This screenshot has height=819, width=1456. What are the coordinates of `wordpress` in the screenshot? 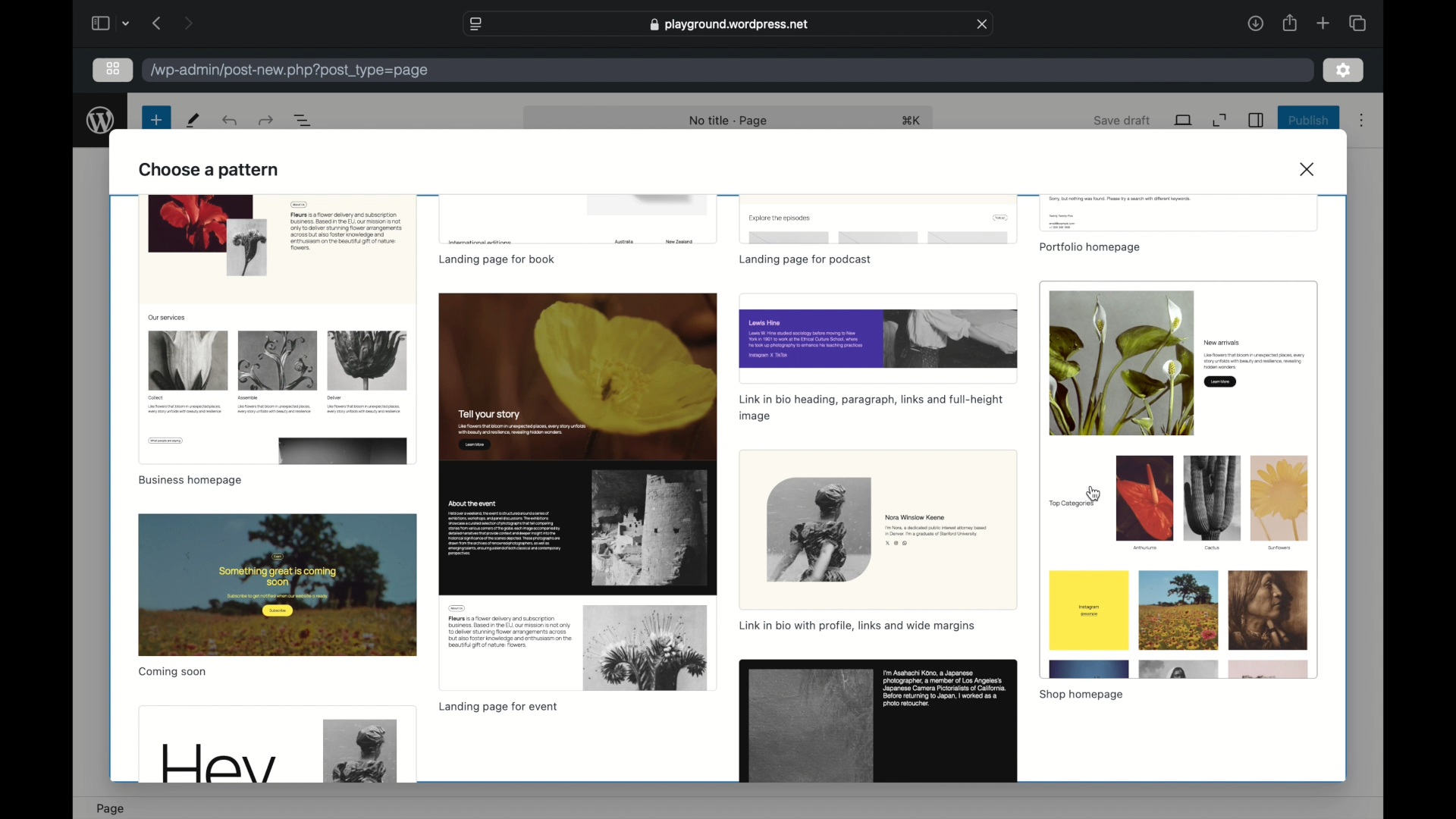 It's located at (101, 121).